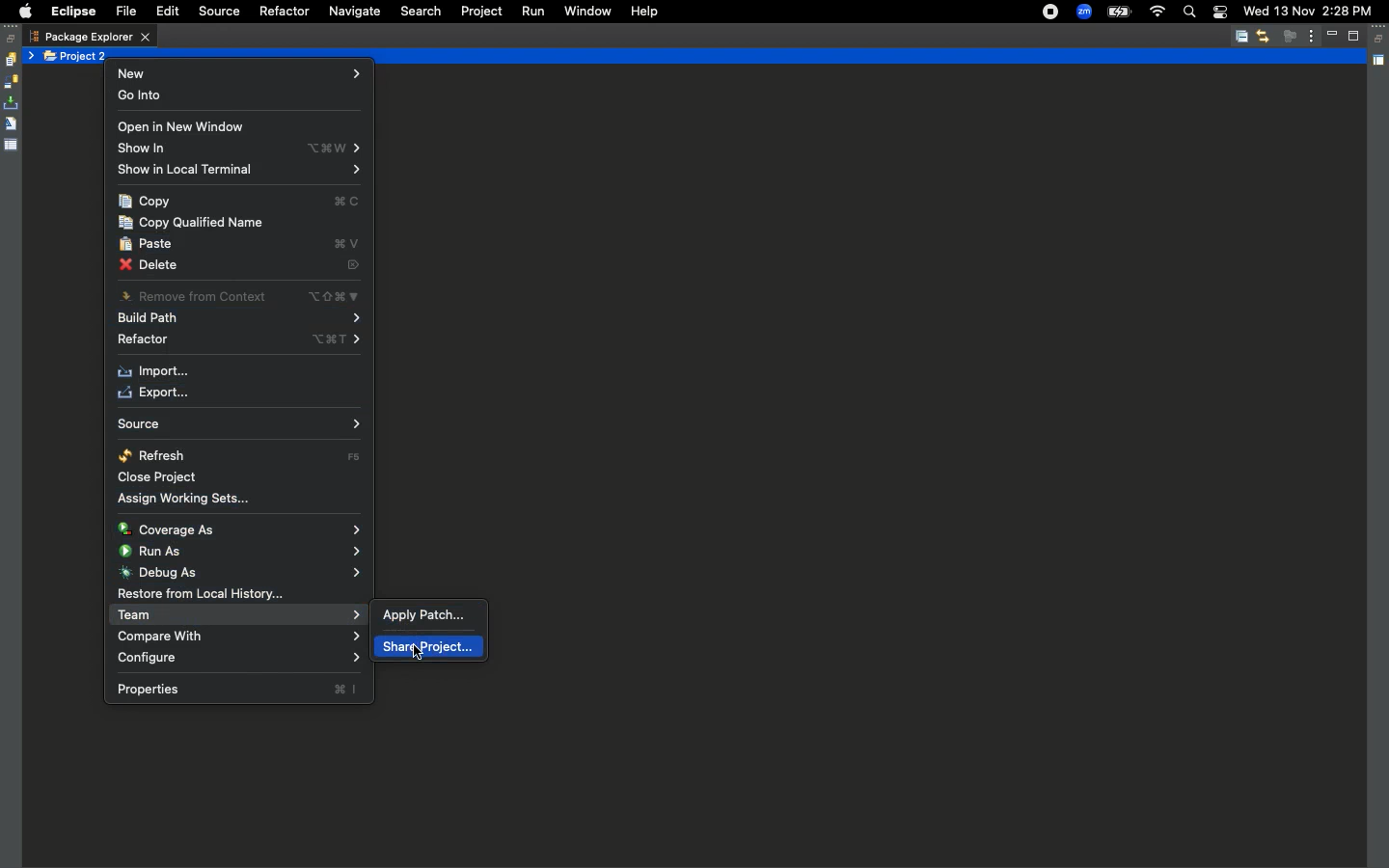  I want to click on Apply patch, so click(425, 613).